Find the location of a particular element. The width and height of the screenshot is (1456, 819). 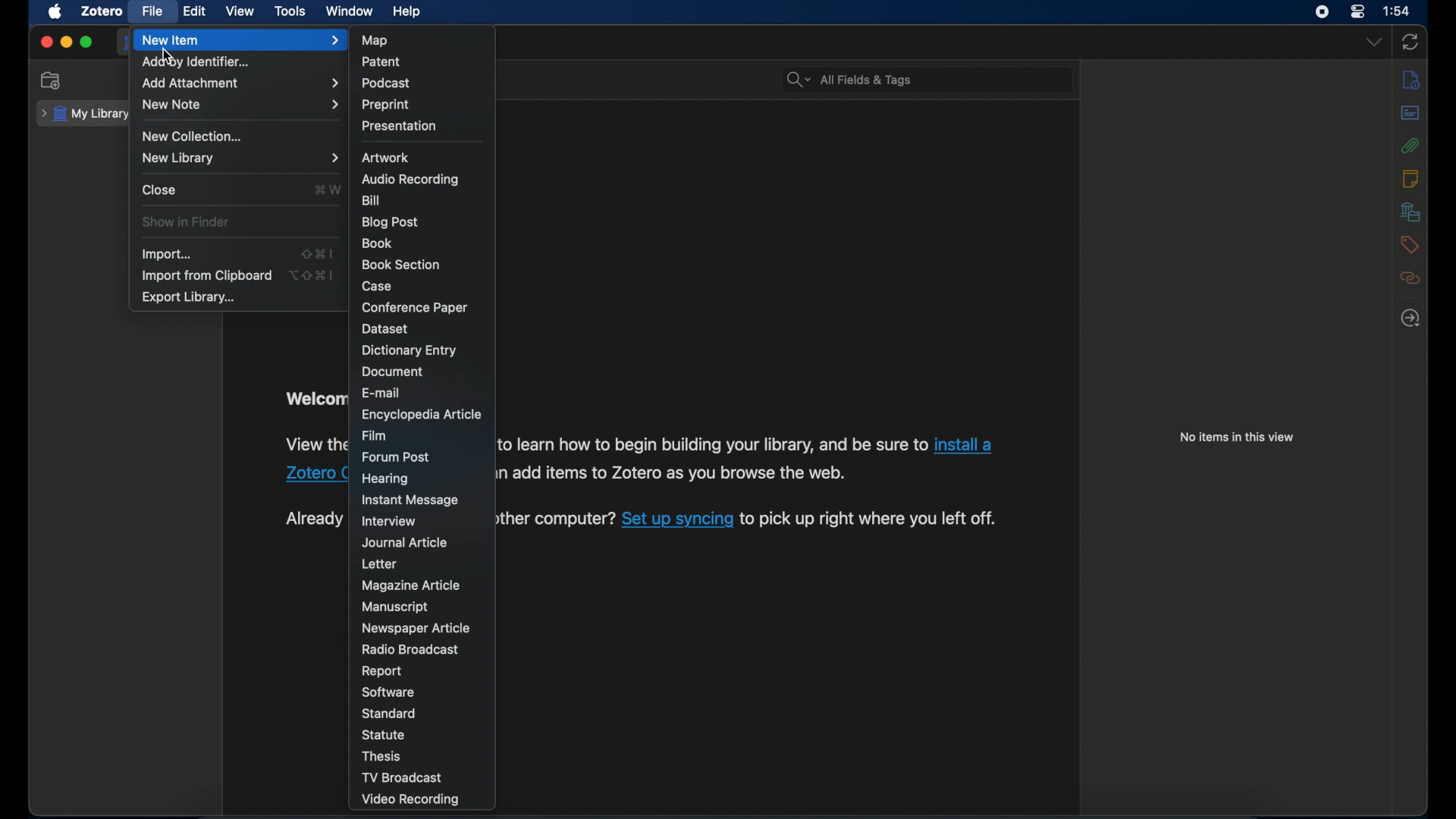

e-mail is located at coordinates (383, 392).